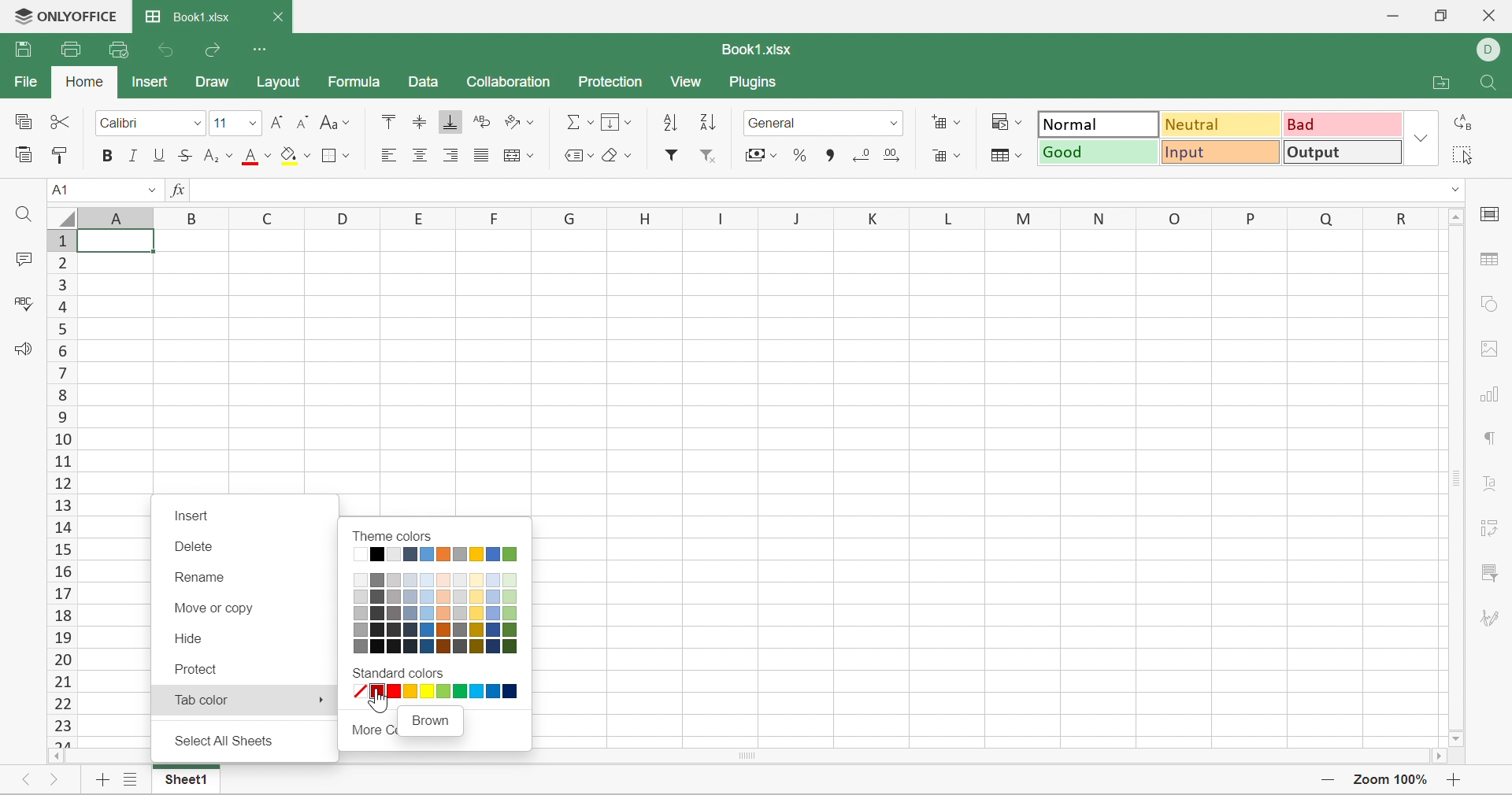  I want to click on Input, so click(1221, 151).